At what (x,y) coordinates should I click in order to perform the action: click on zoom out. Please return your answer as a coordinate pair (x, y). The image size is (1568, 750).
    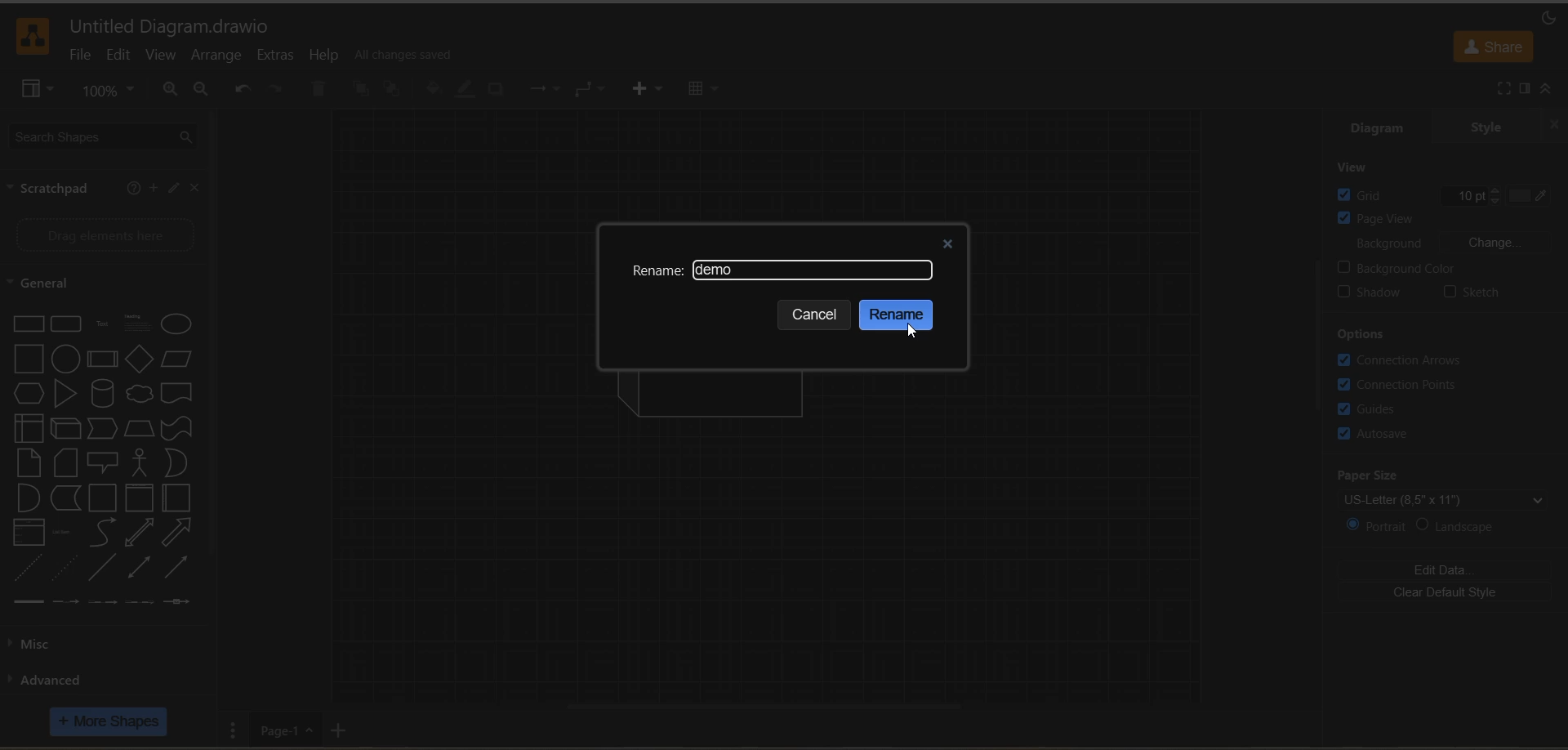
    Looking at the image, I should click on (203, 92).